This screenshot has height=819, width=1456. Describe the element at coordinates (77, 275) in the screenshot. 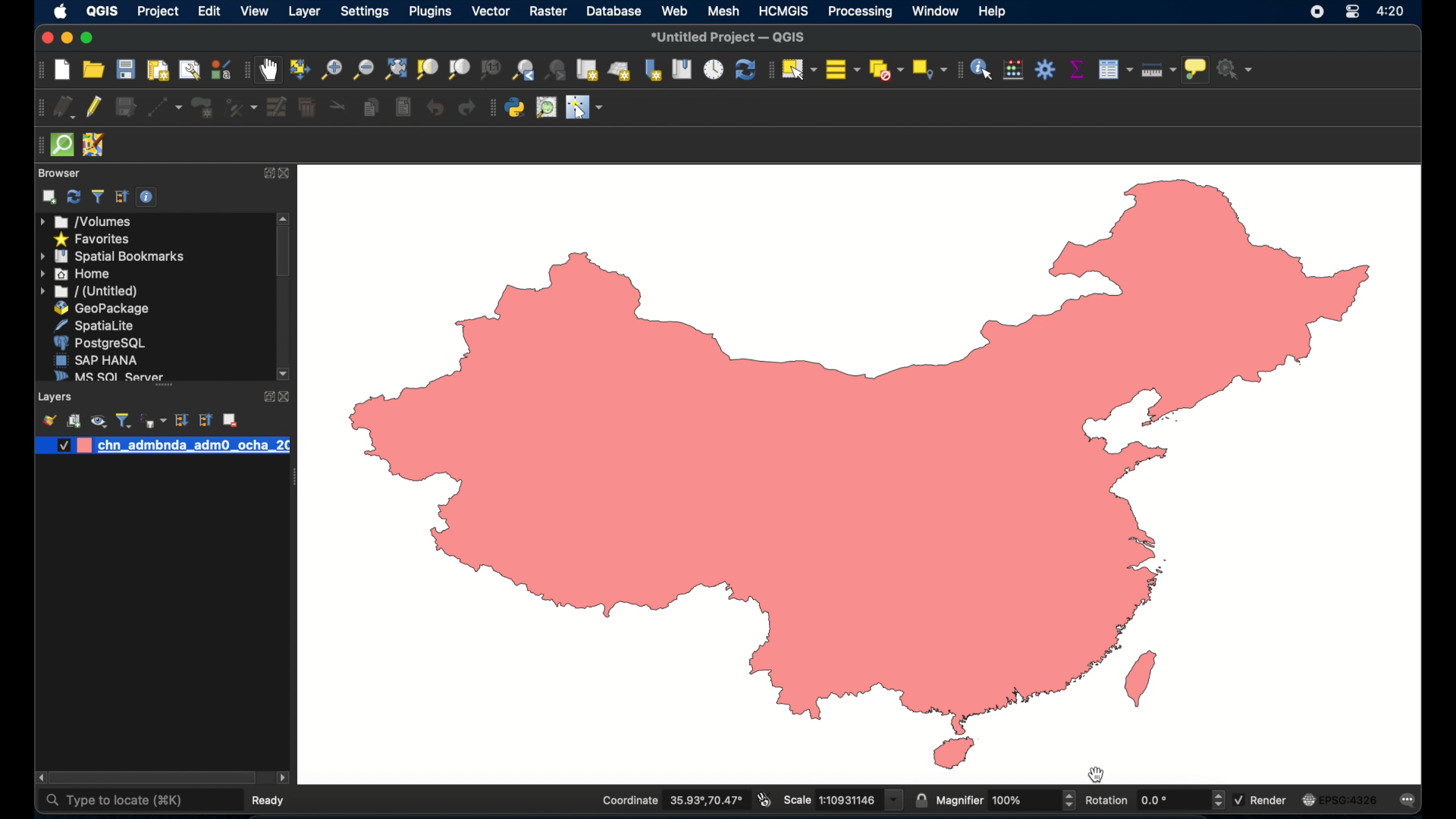

I see `home menu` at that location.